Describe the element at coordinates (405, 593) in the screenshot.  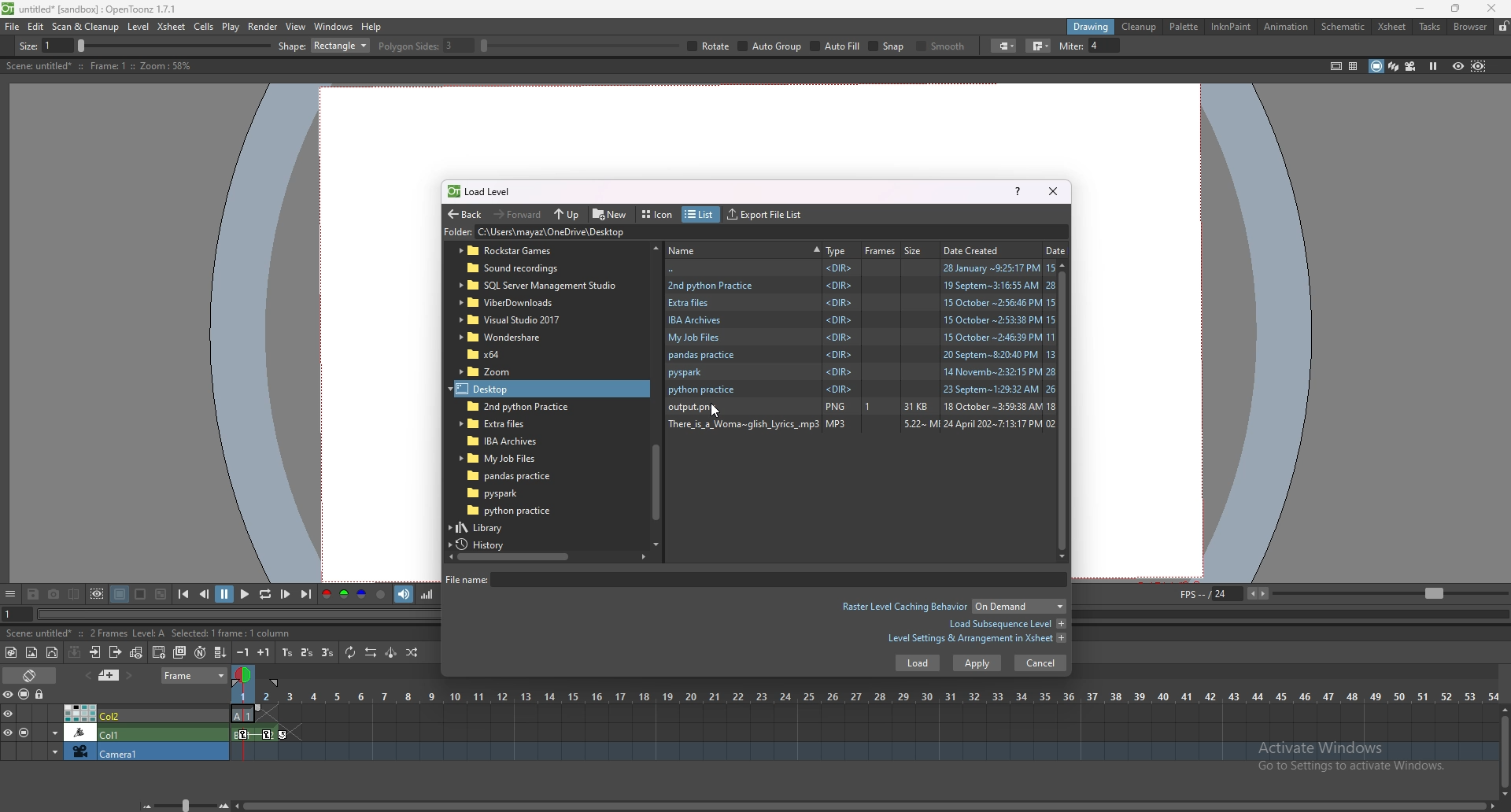
I see `soundtrack` at that location.